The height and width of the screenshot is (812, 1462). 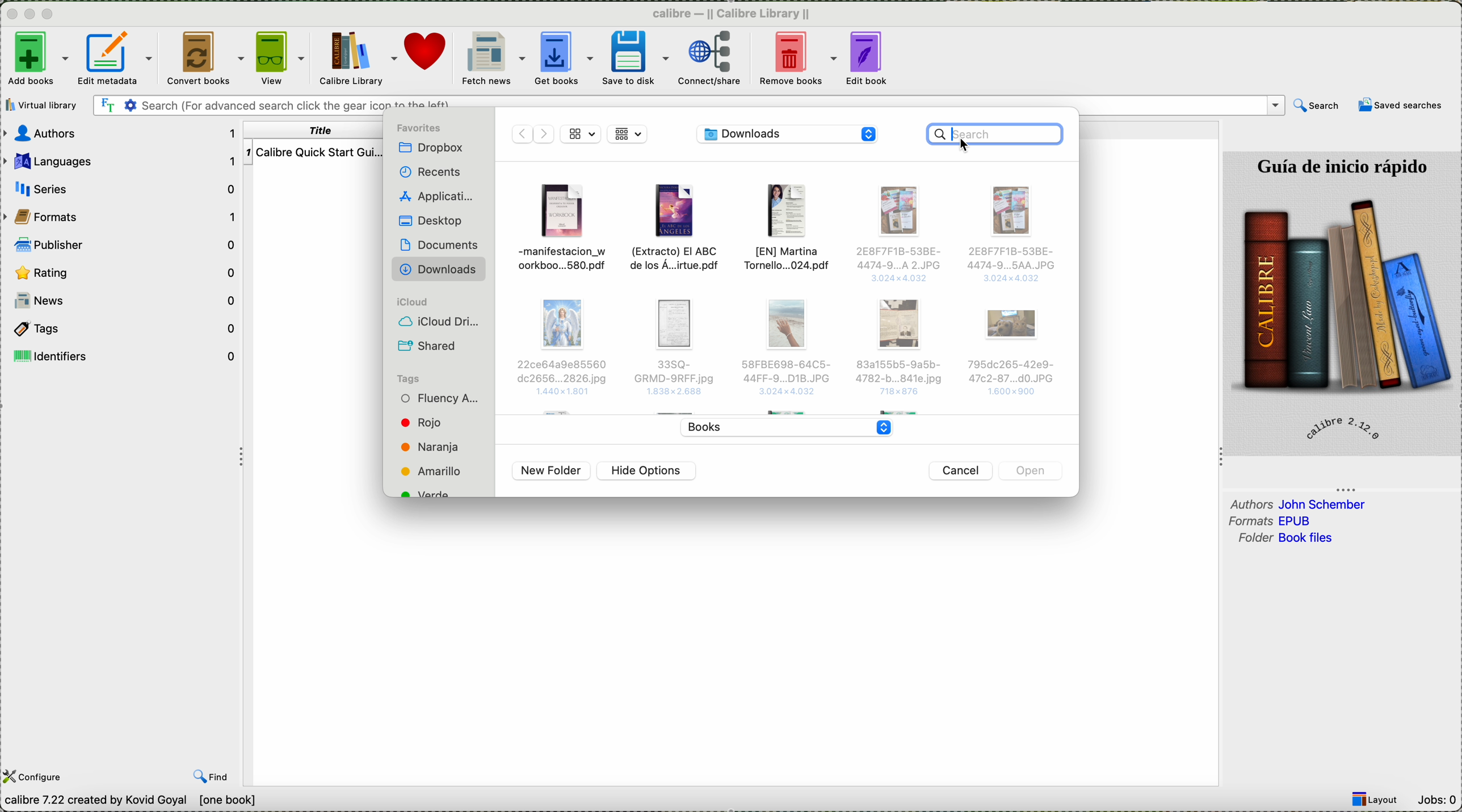 I want to click on disable navigate arrows, so click(x=532, y=132).